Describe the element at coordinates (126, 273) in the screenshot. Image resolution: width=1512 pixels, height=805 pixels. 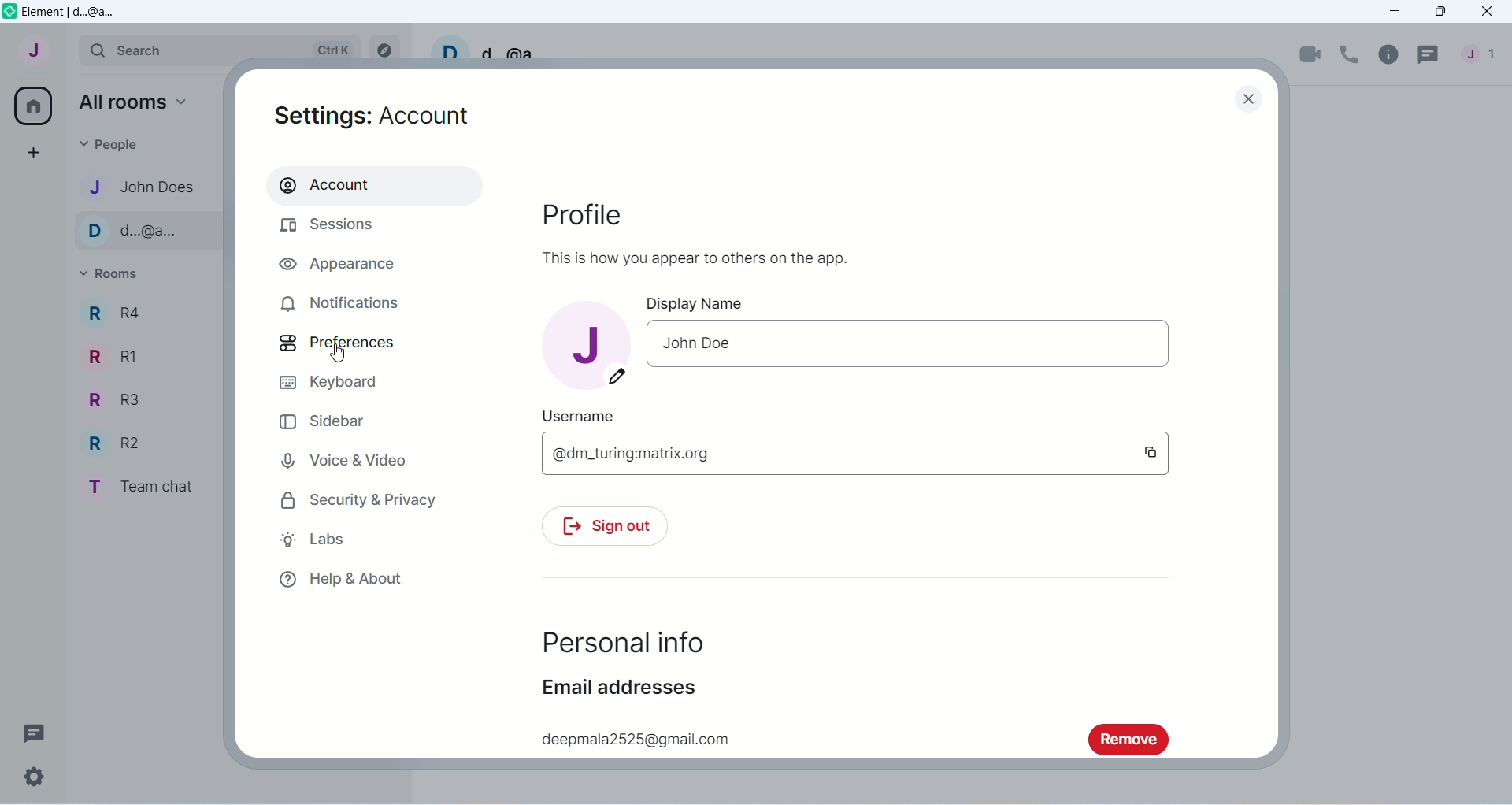
I see `Rooms` at that location.